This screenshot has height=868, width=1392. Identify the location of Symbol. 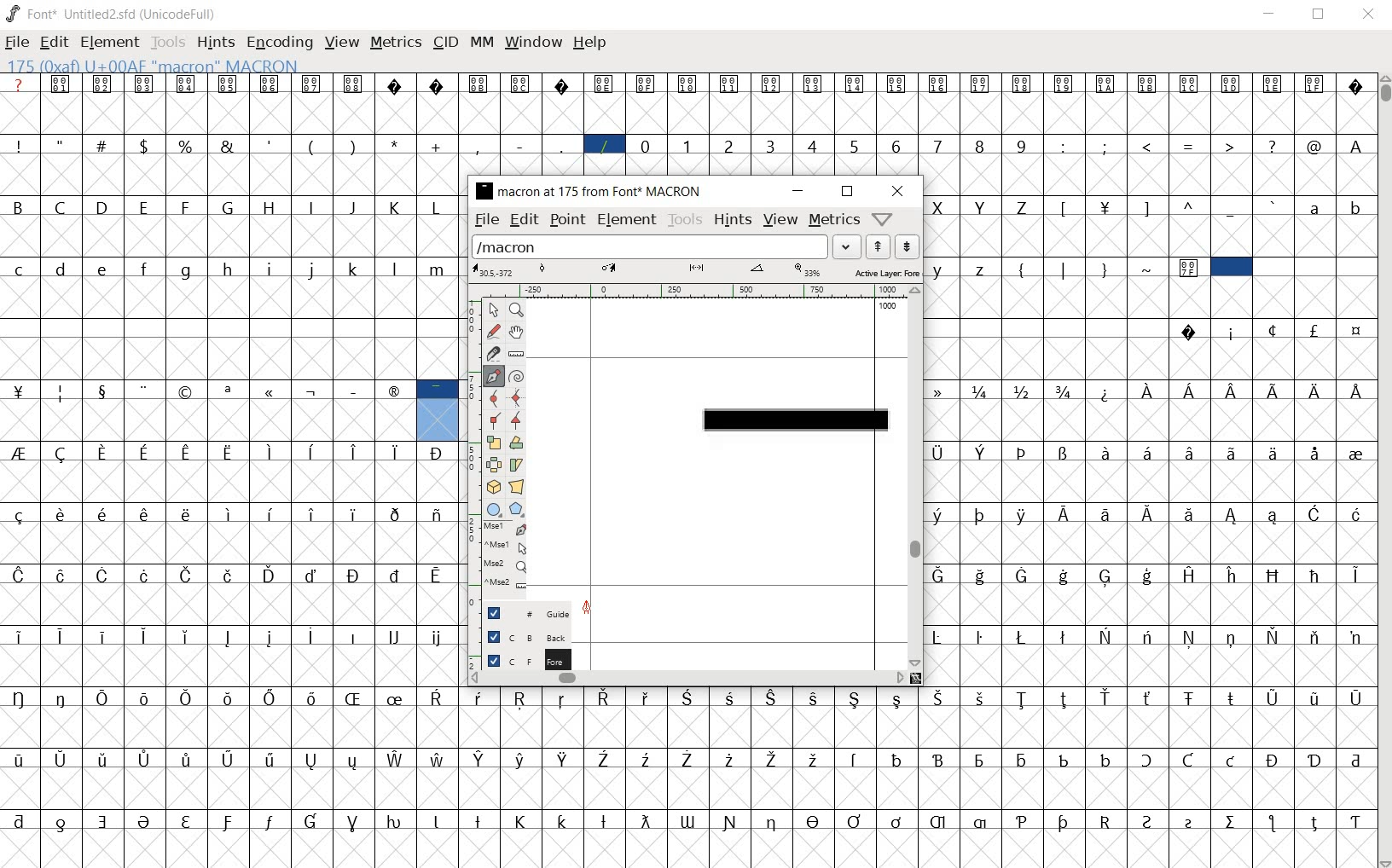
(438, 454).